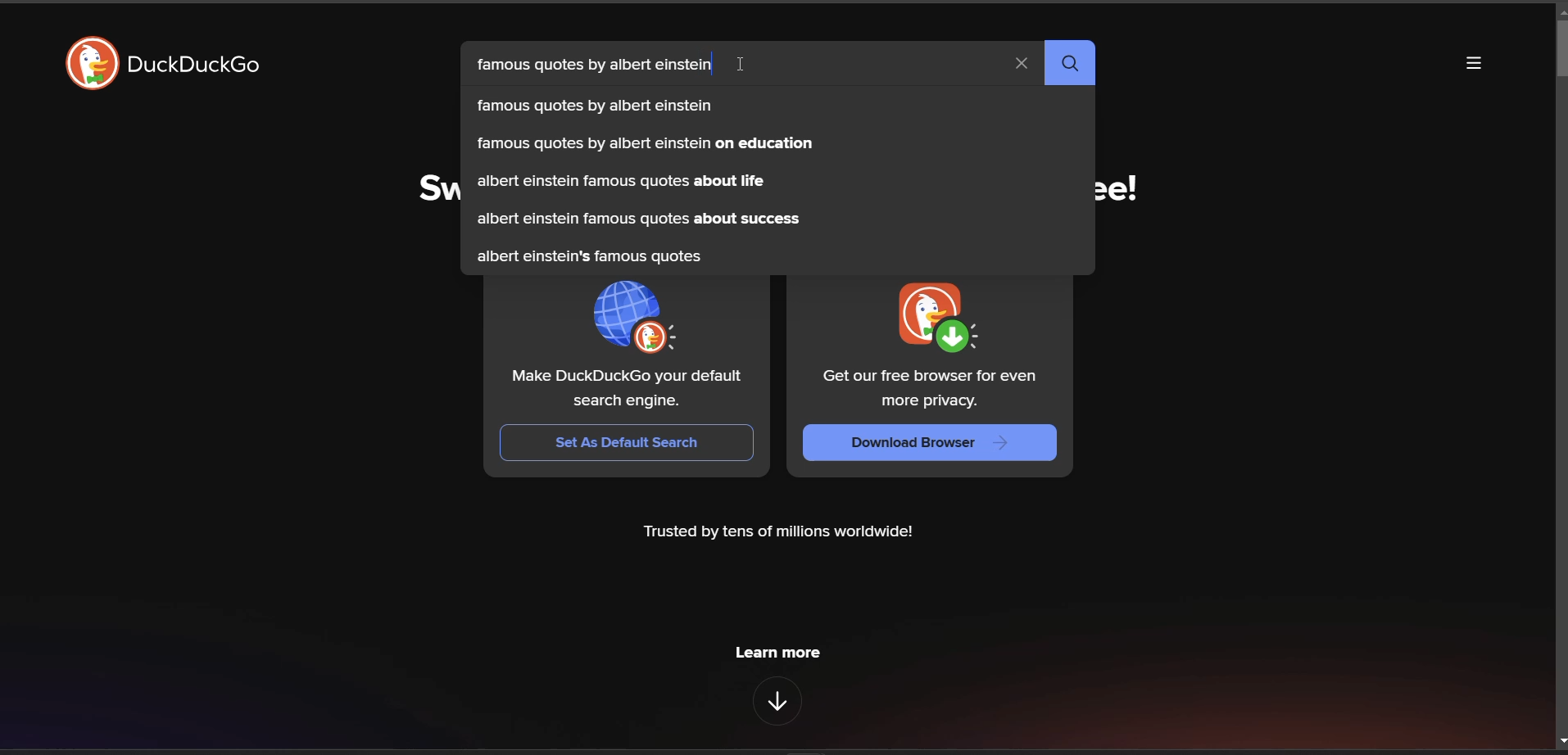 Image resolution: width=1568 pixels, height=755 pixels. I want to click on clear, so click(1022, 64).